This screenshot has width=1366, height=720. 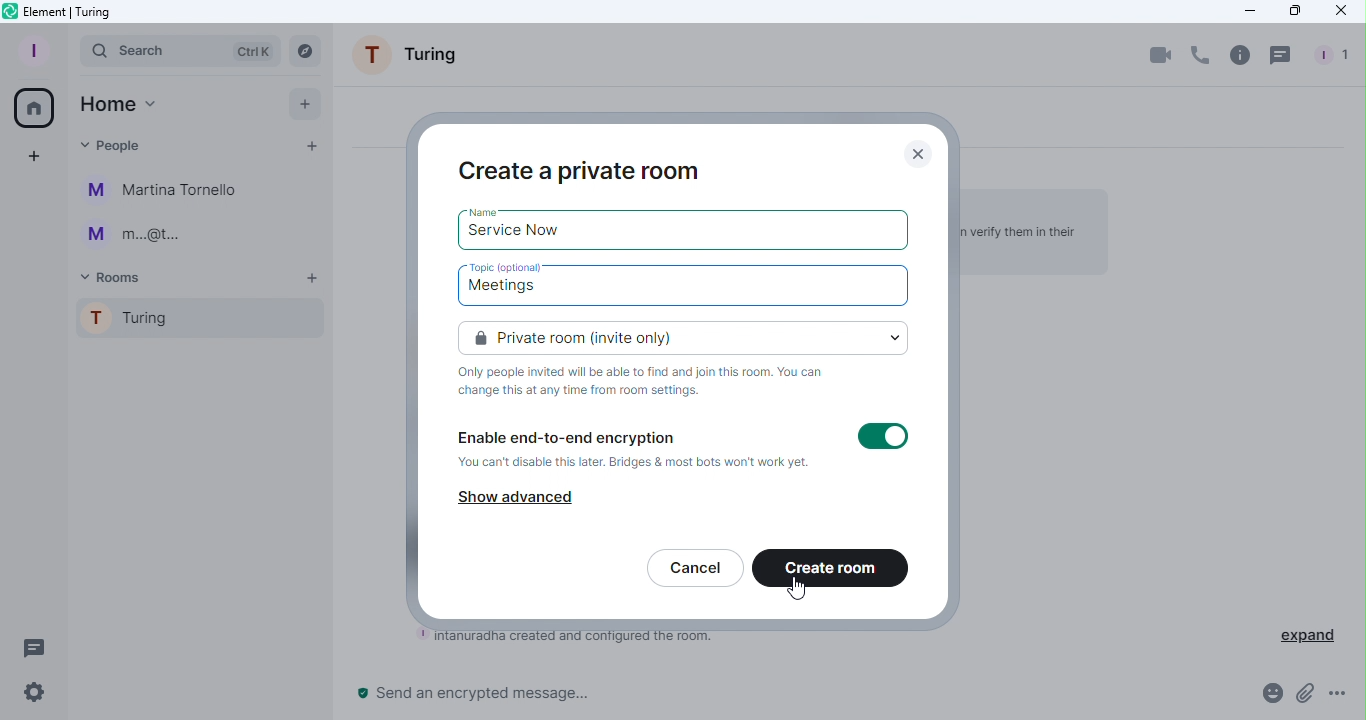 What do you see at coordinates (1245, 11) in the screenshot?
I see `Minimize` at bounding box center [1245, 11].